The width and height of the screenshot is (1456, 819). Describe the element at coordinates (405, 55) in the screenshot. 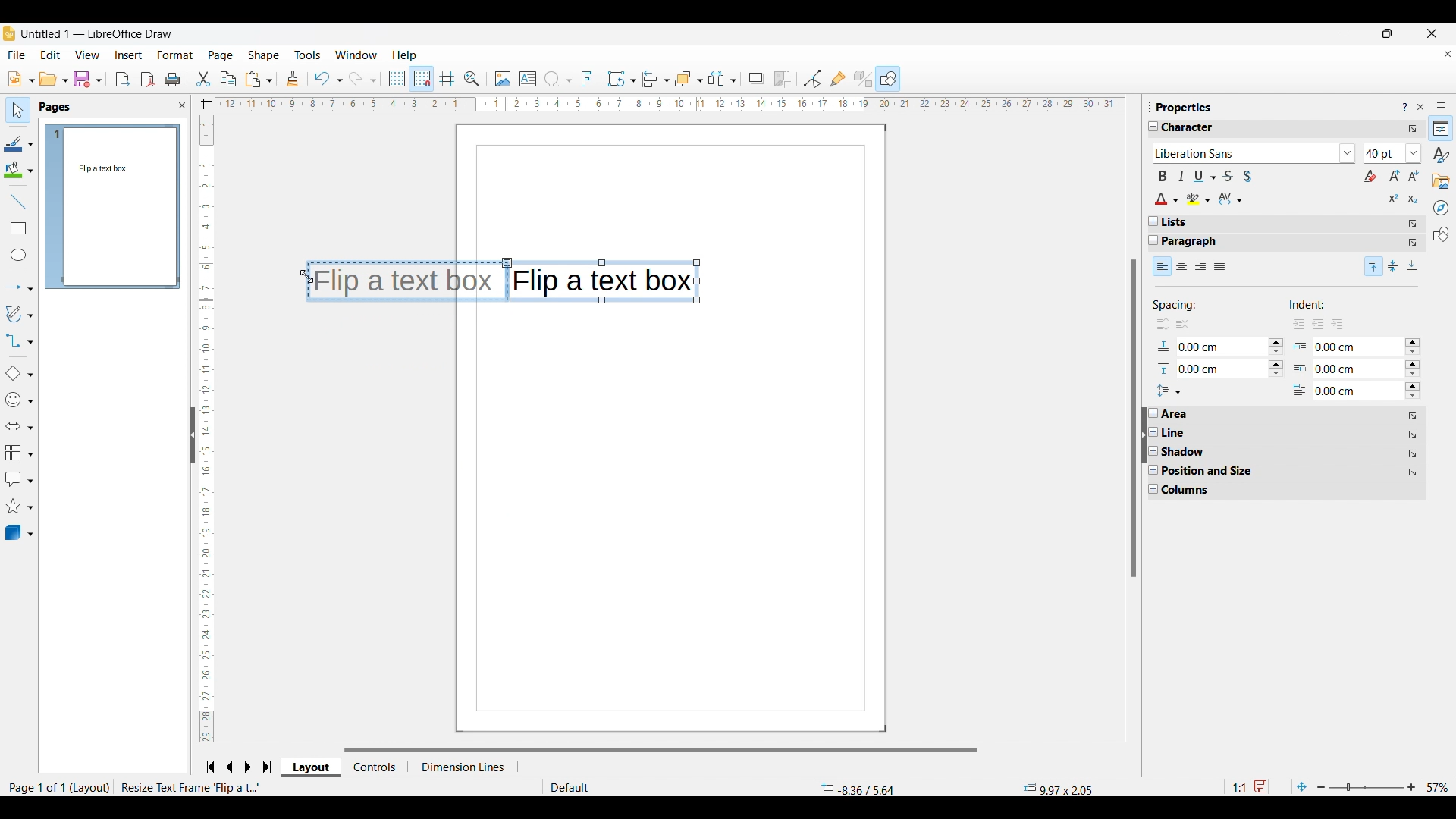

I see `Help menu` at that location.